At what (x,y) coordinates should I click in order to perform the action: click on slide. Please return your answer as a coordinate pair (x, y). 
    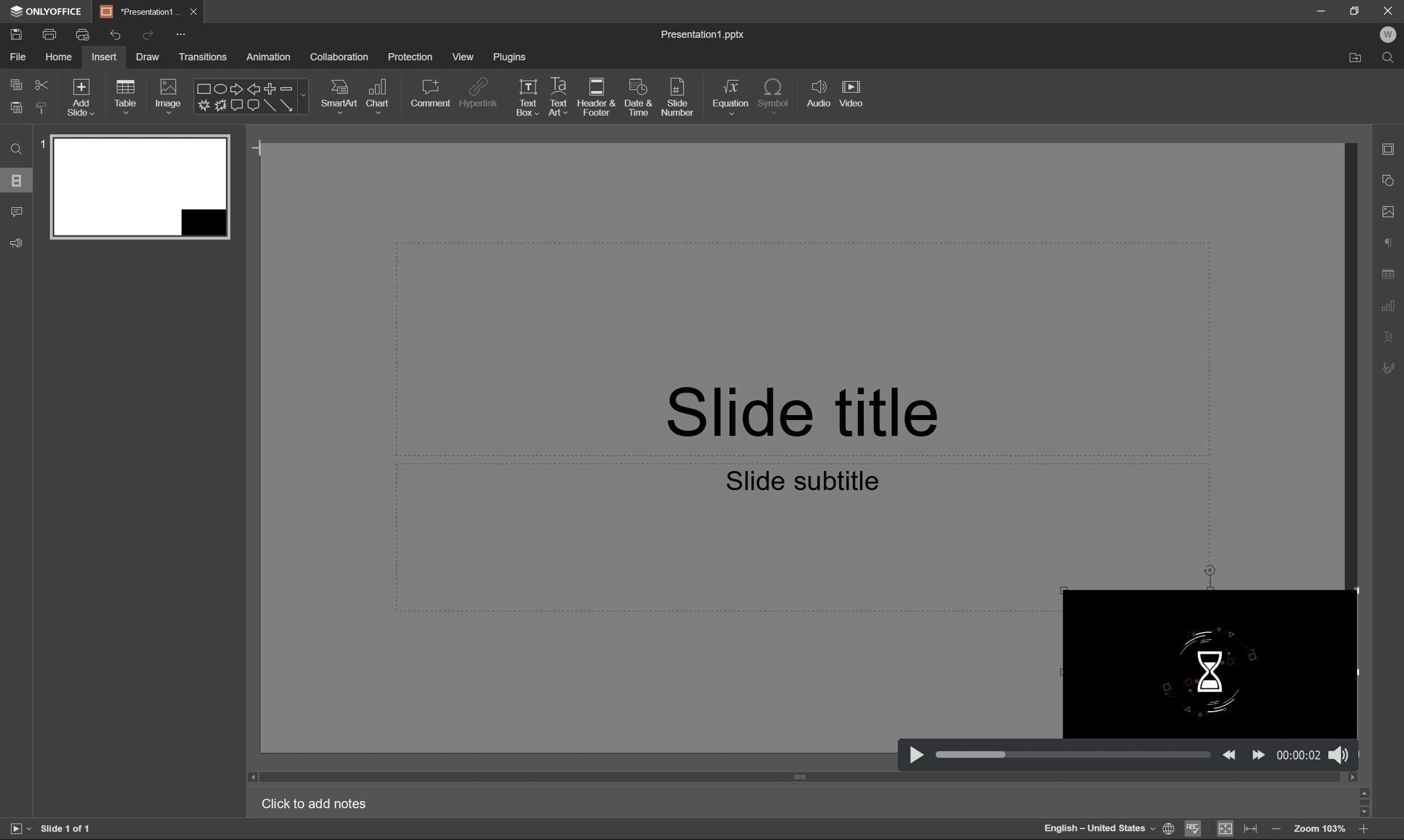
    Looking at the image, I should click on (140, 185).